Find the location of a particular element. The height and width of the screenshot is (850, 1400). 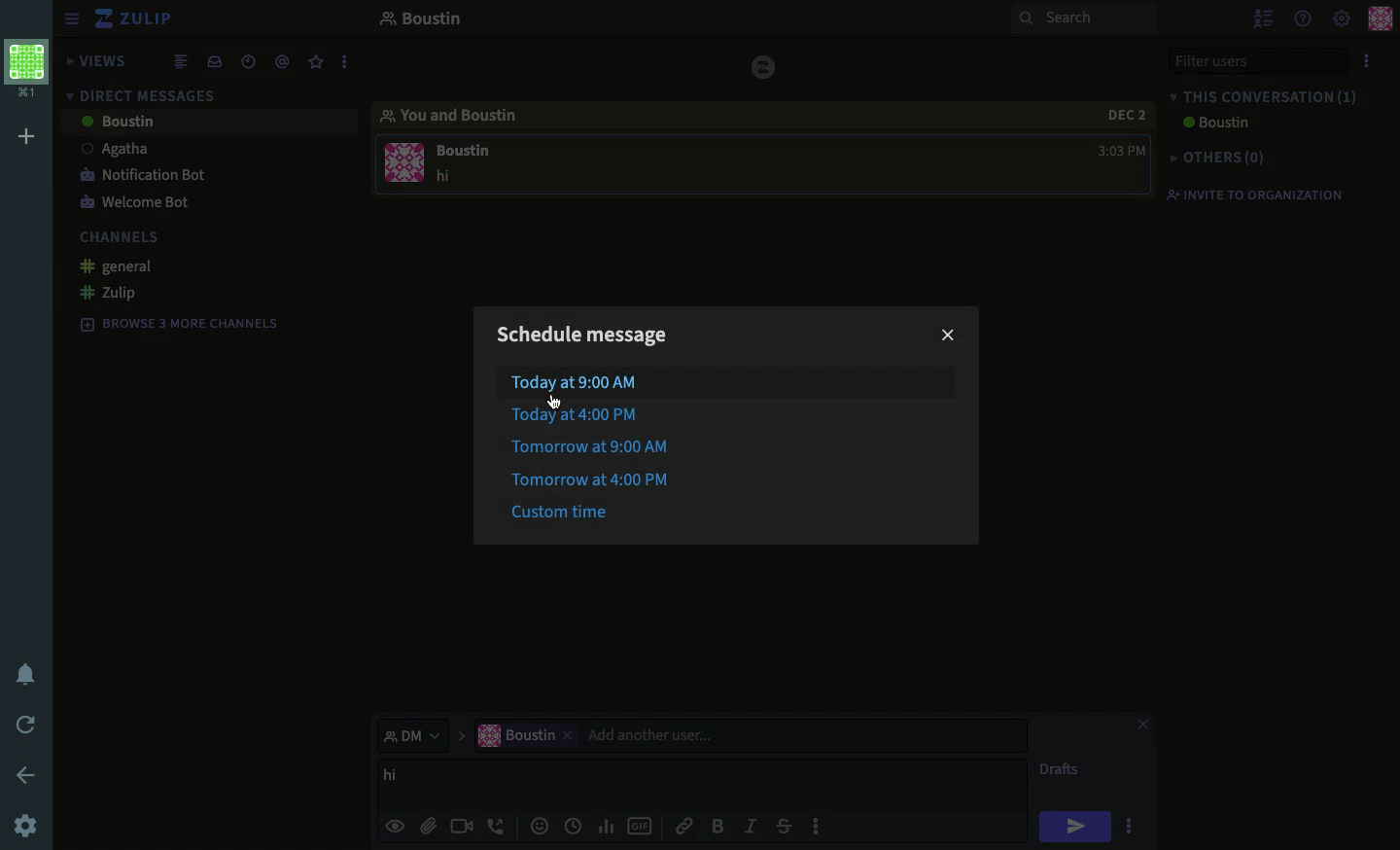

views is located at coordinates (98, 63).